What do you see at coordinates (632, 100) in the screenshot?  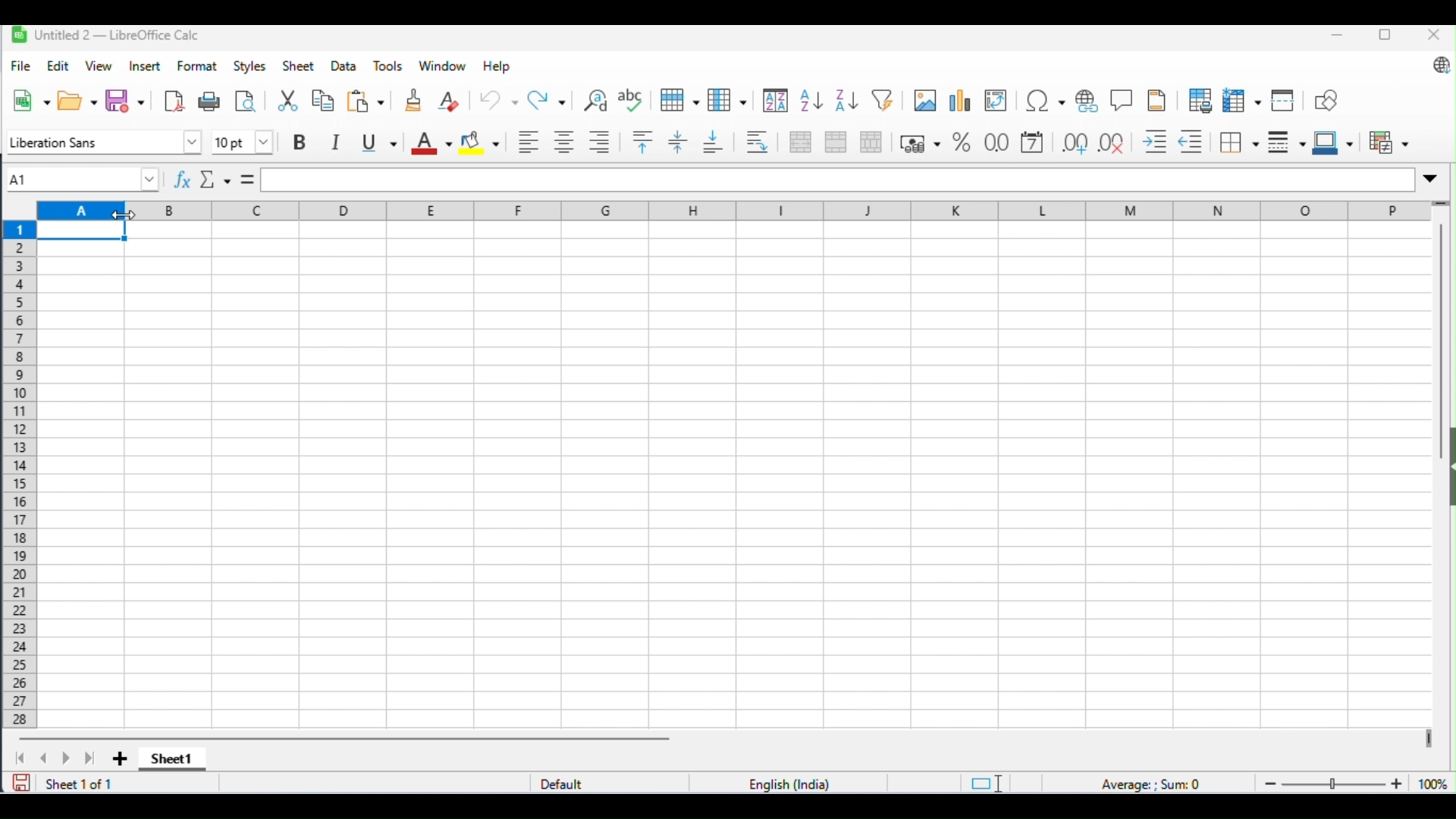 I see `spelling` at bounding box center [632, 100].